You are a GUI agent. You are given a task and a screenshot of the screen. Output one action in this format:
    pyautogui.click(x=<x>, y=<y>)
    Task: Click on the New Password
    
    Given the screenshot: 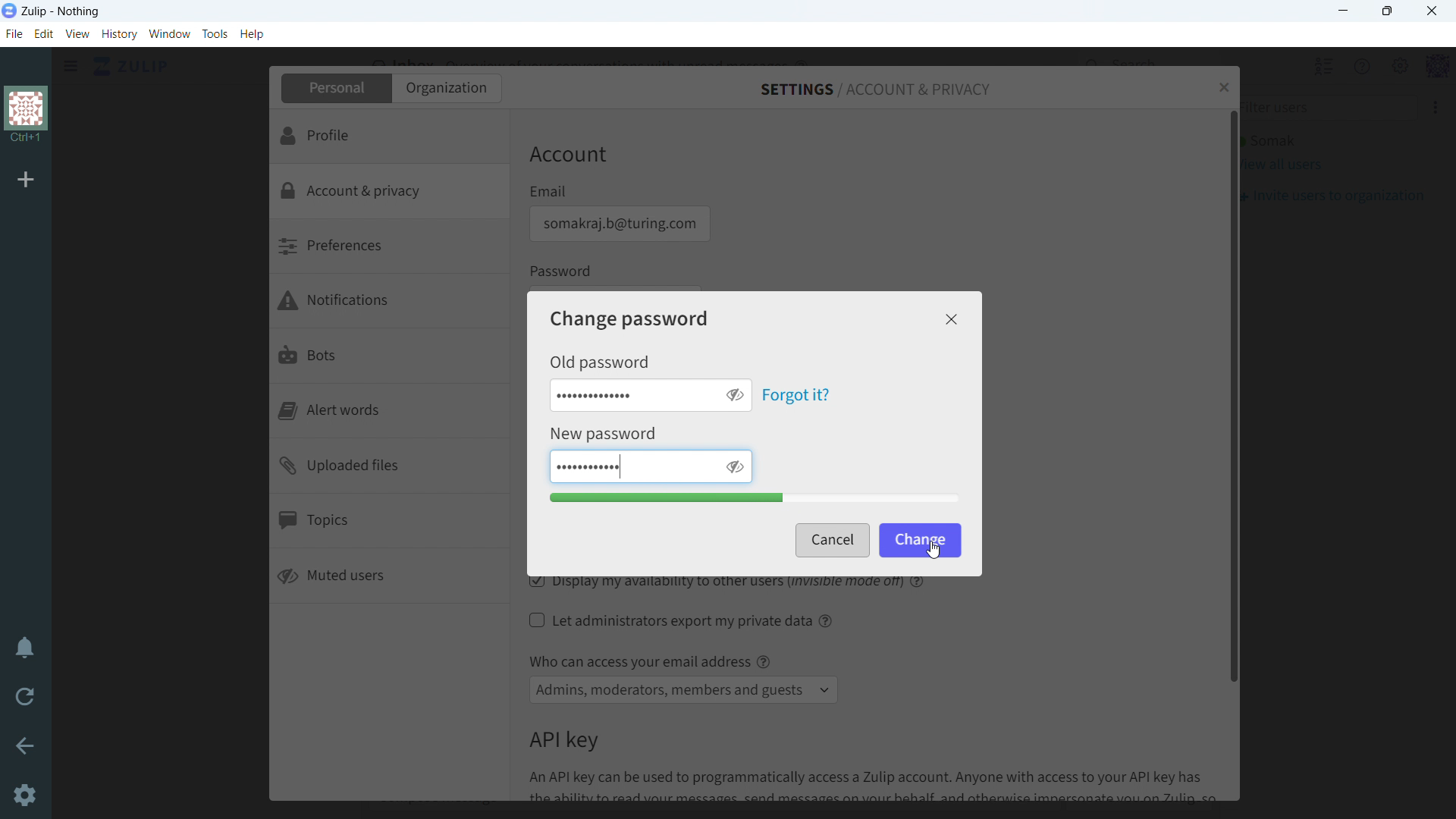 What is the action you would take?
    pyautogui.click(x=606, y=435)
    